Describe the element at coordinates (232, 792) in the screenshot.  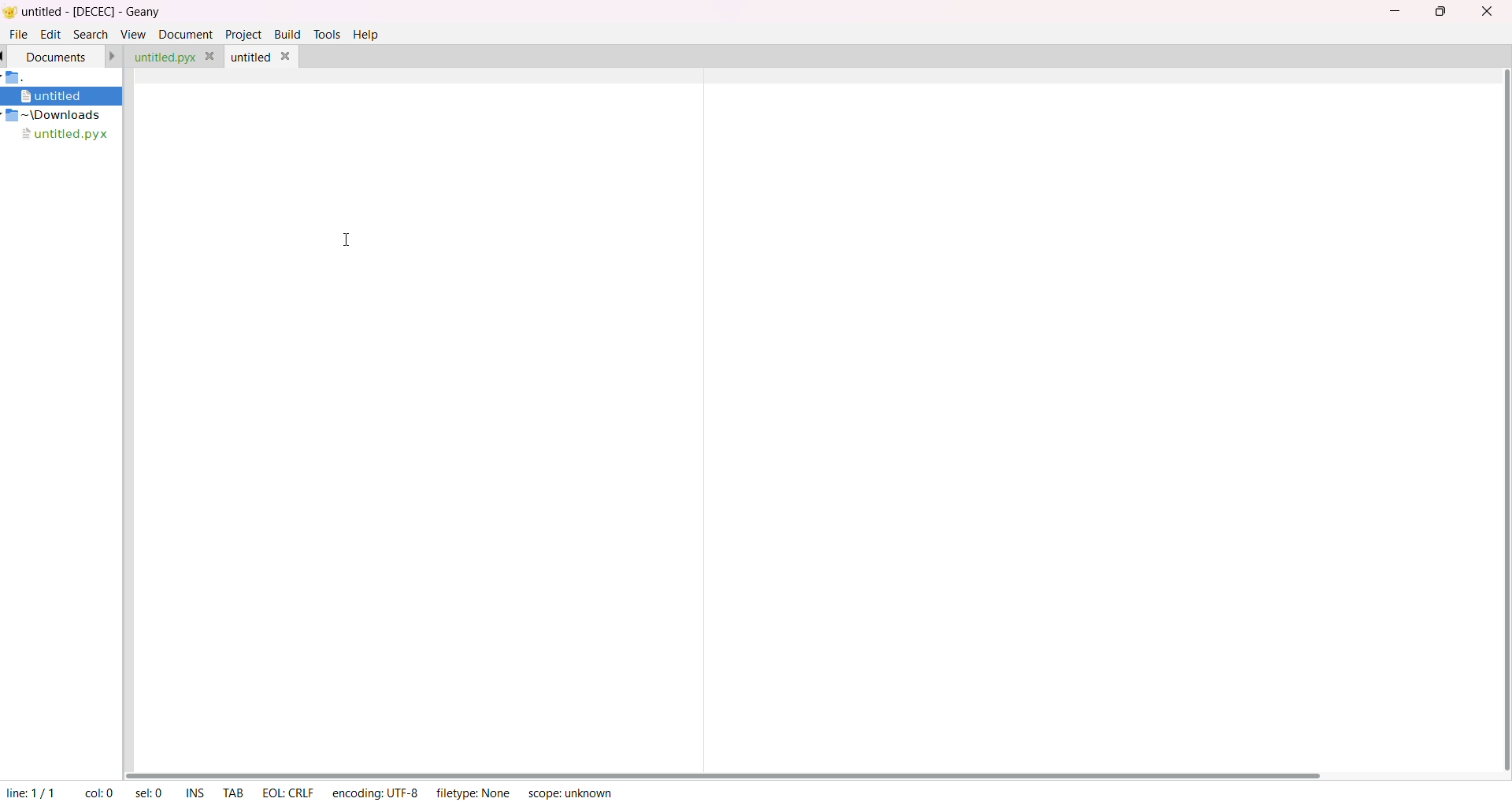
I see `Tab` at that location.